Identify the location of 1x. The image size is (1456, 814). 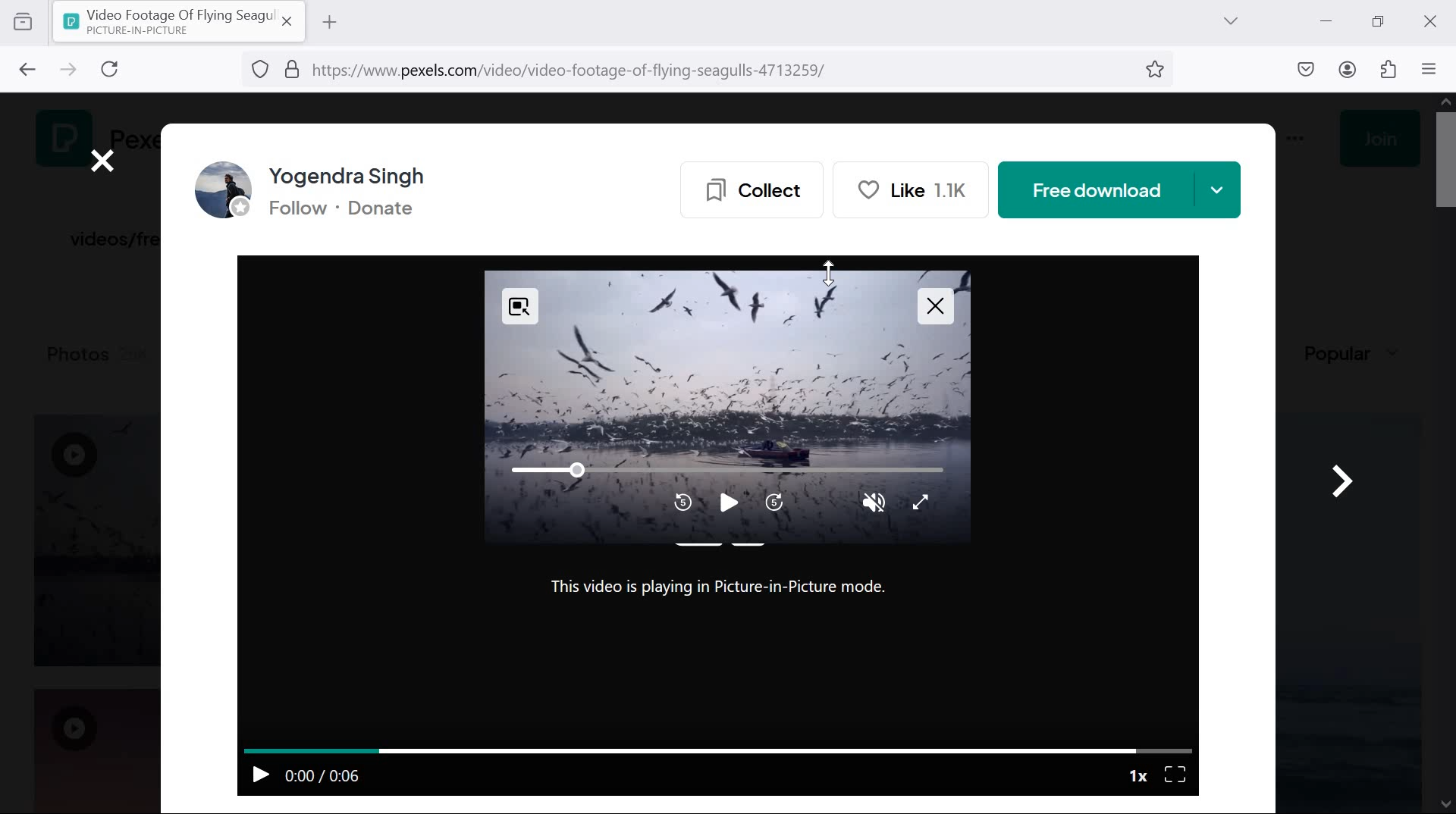
(1137, 774).